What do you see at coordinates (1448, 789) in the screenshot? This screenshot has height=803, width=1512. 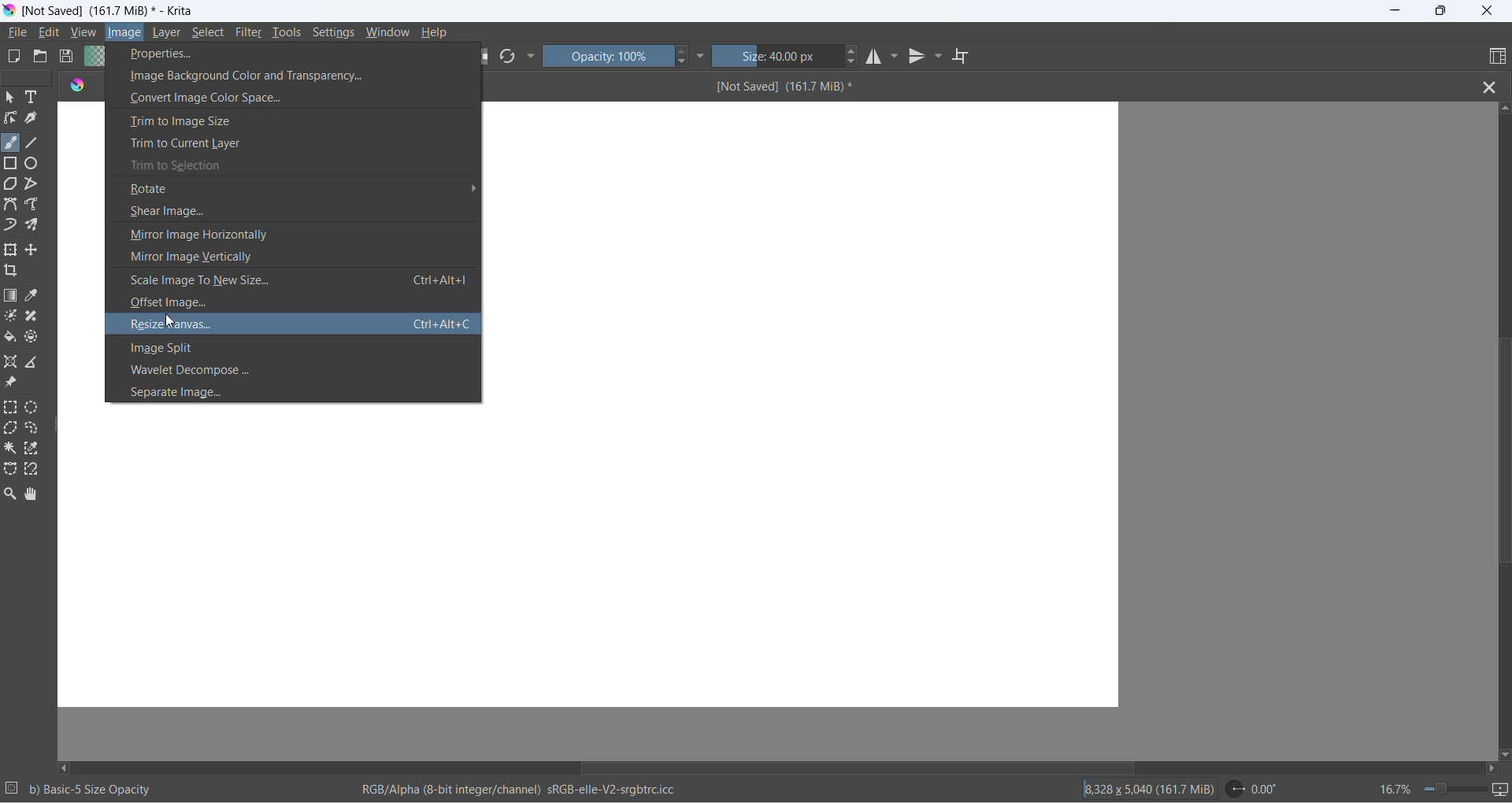 I see `zoom slider` at bounding box center [1448, 789].